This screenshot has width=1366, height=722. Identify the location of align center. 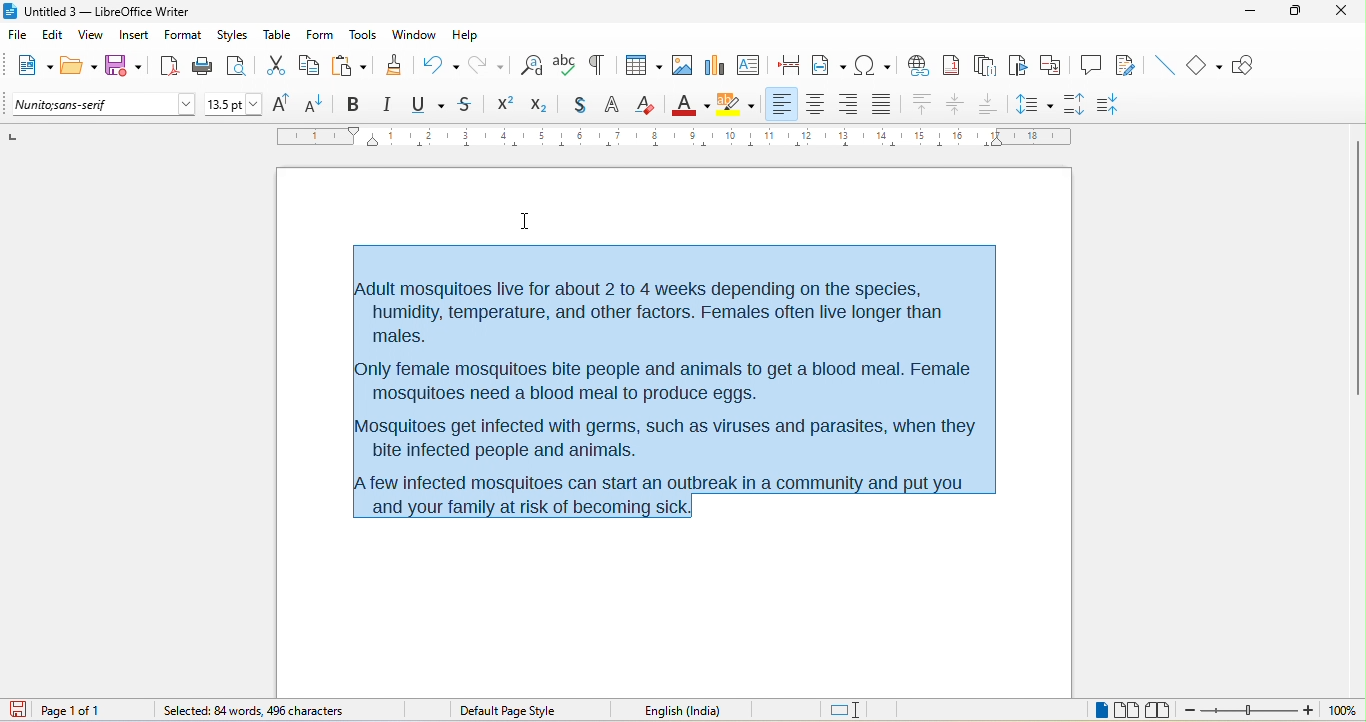
(816, 105).